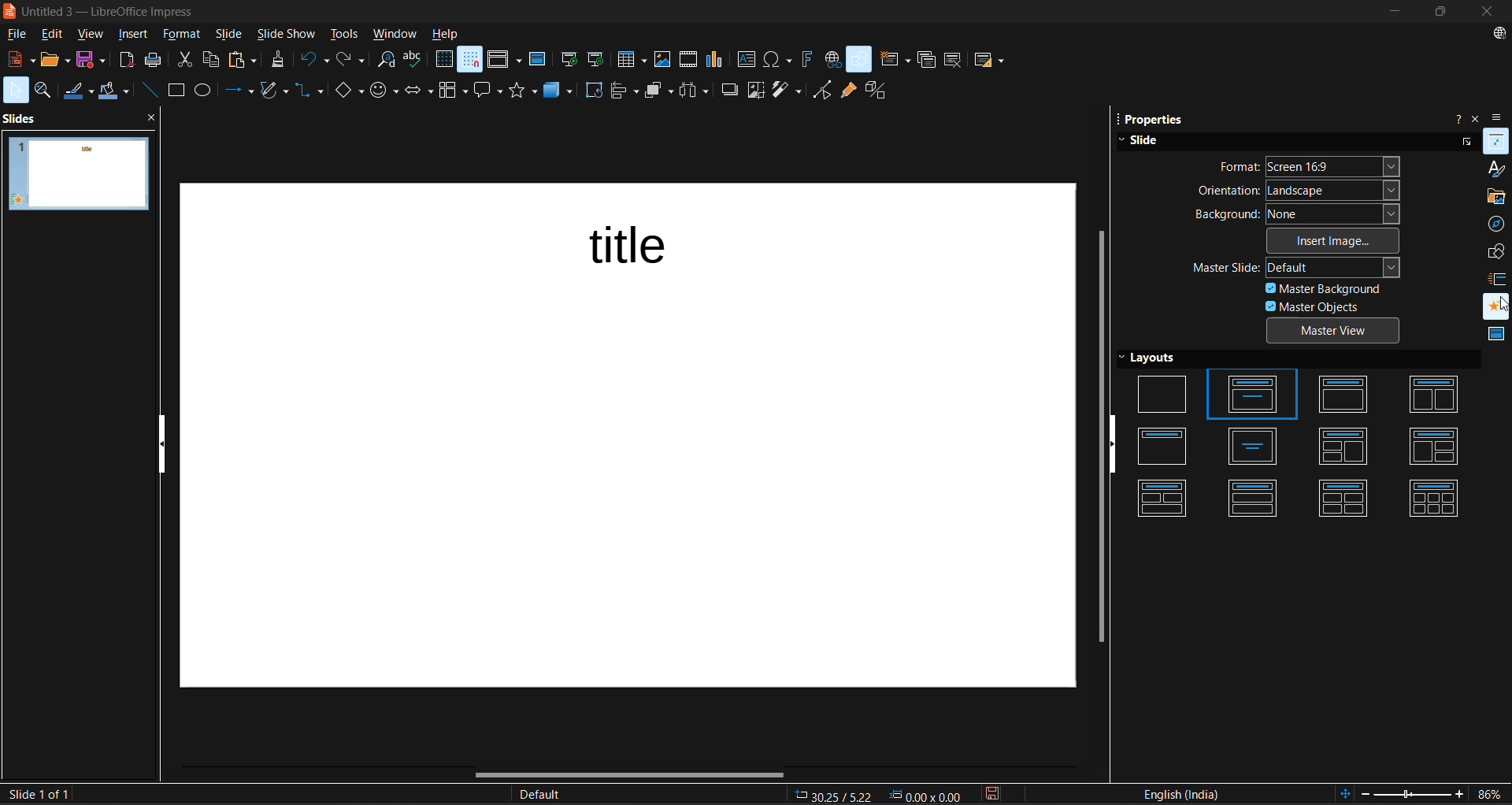 This screenshot has width=1512, height=805. Describe the element at coordinates (778, 59) in the screenshot. I see `insert special characterss` at that location.